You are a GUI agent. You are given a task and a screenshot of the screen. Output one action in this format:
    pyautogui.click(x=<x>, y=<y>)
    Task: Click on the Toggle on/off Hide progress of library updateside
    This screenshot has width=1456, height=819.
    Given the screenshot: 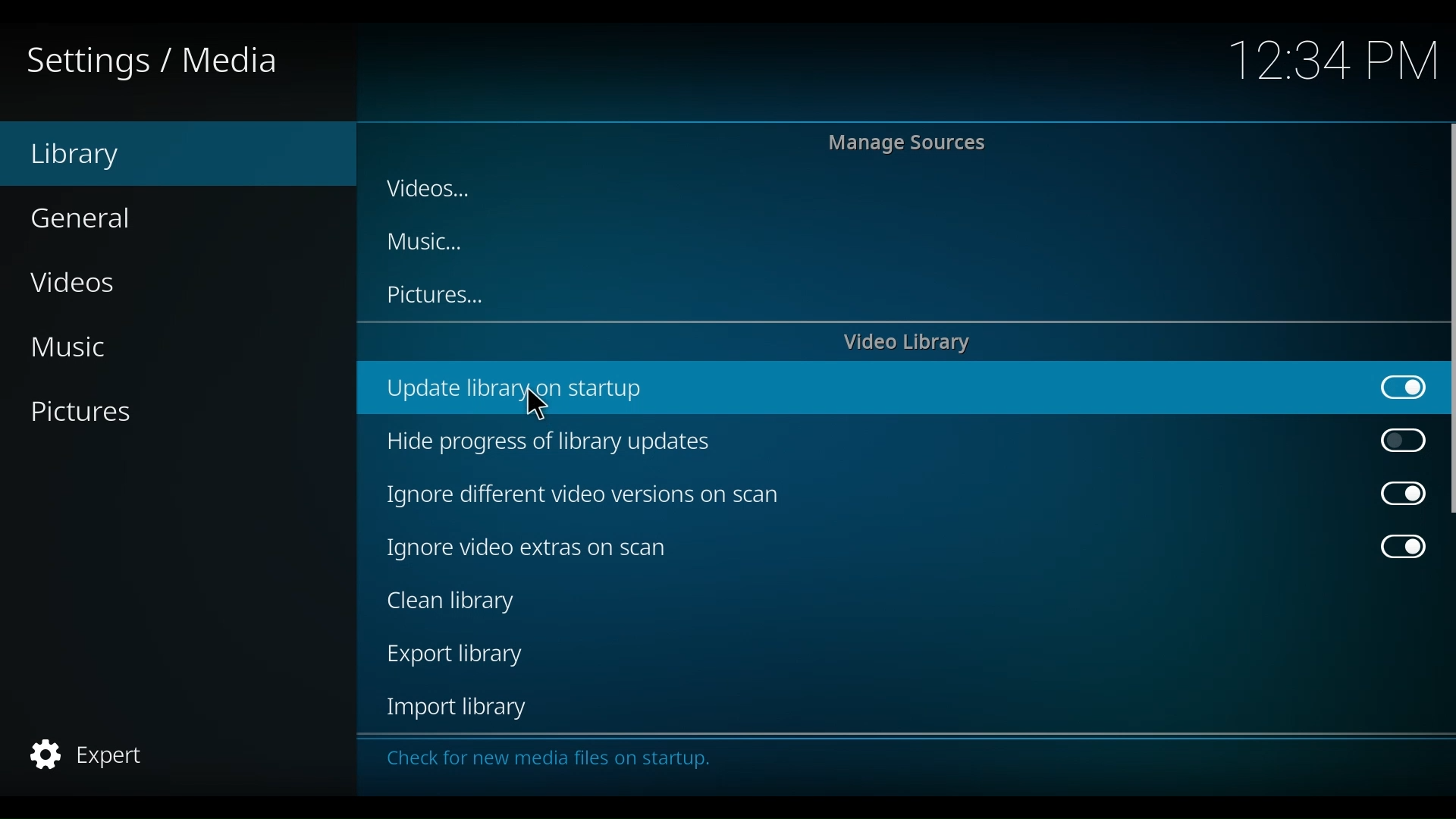 What is the action you would take?
    pyautogui.click(x=1401, y=442)
    